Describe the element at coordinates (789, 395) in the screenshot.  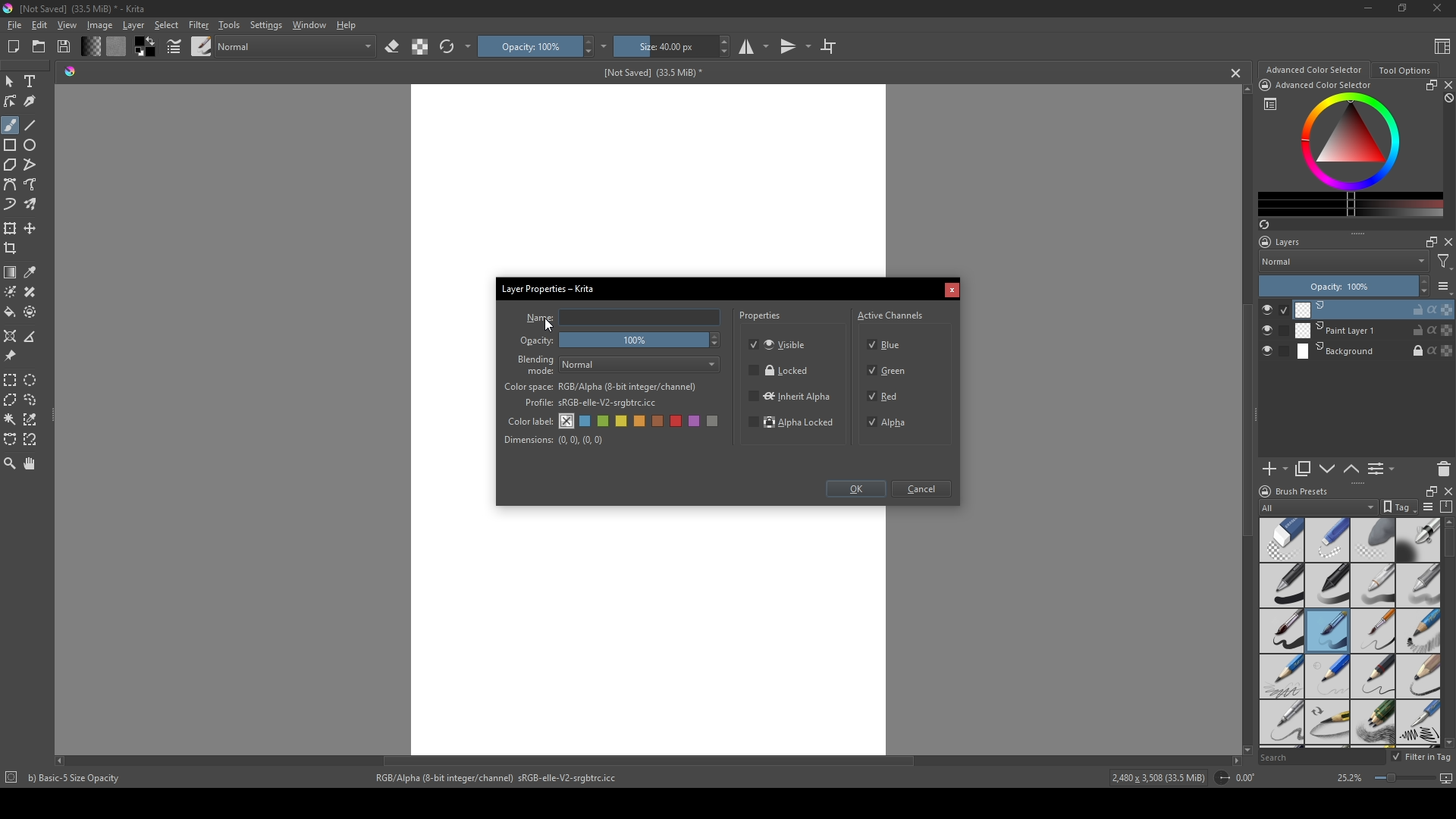
I see `Inherit alpha` at that location.